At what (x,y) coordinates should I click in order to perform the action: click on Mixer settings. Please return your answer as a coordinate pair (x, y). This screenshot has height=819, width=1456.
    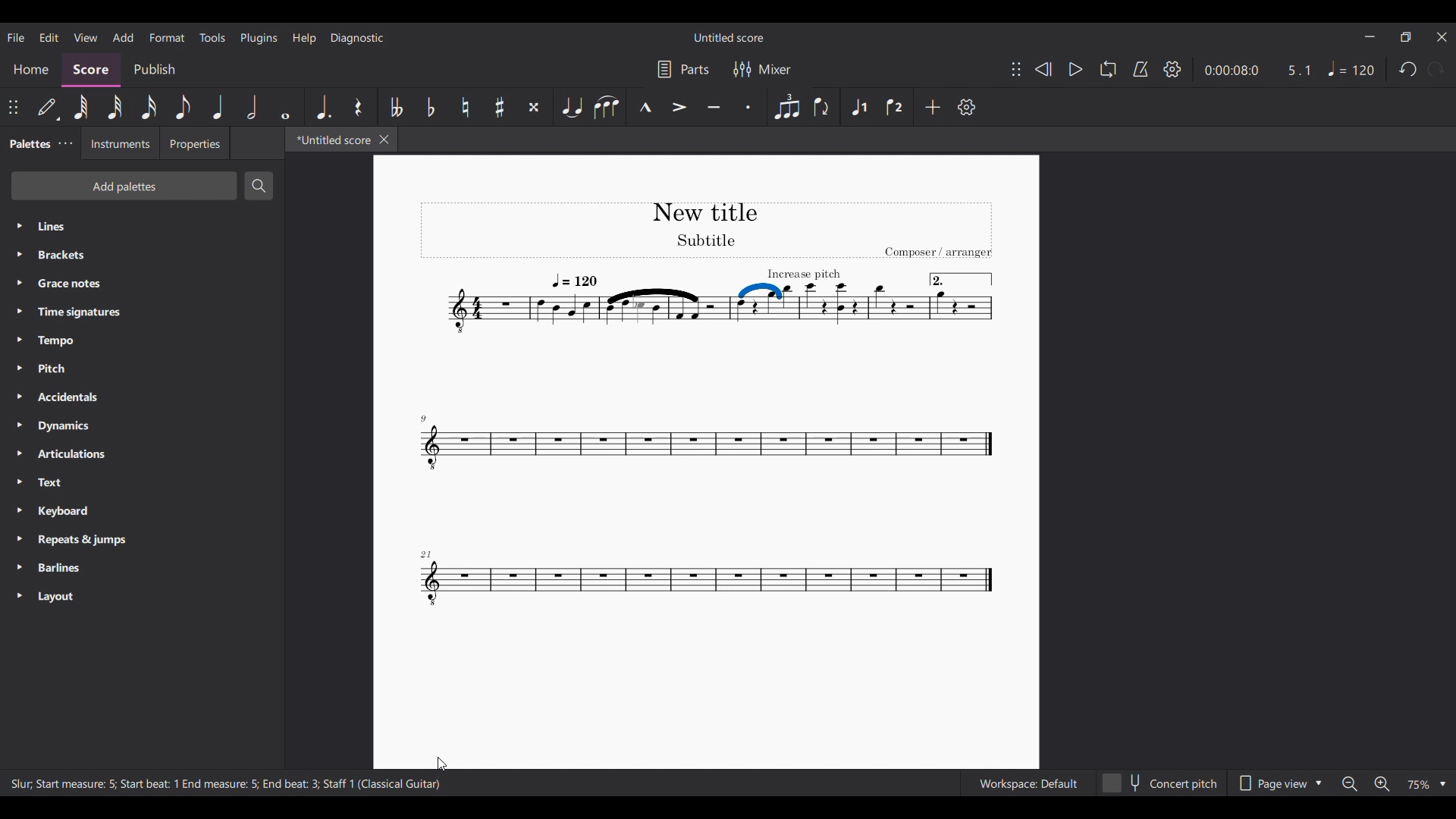
    Looking at the image, I should click on (762, 69).